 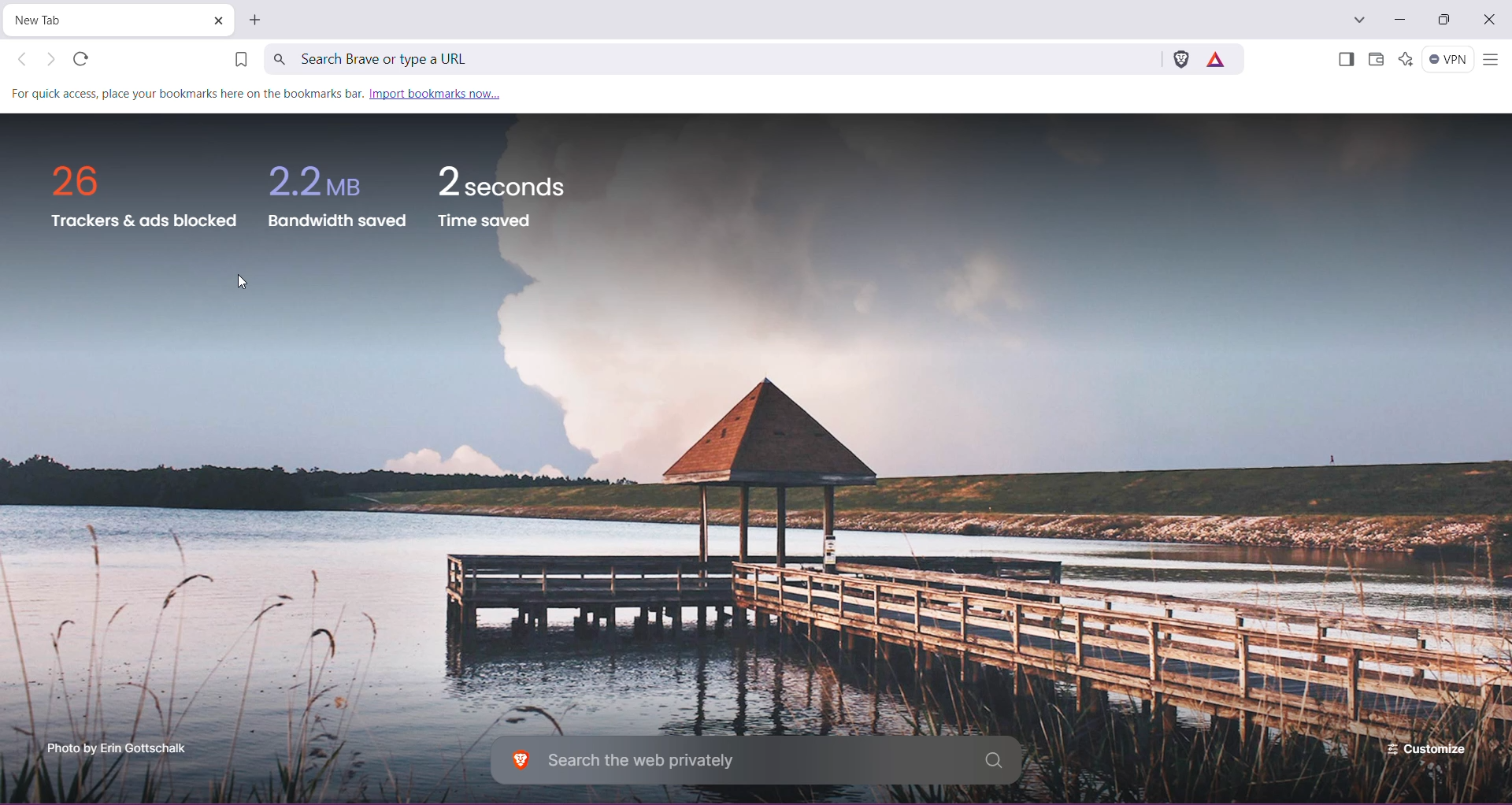 What do you see at coordinates (23, 60) in the screenshot?
I see `Click to go back, hold to see history` at bounding box center [23, 60].